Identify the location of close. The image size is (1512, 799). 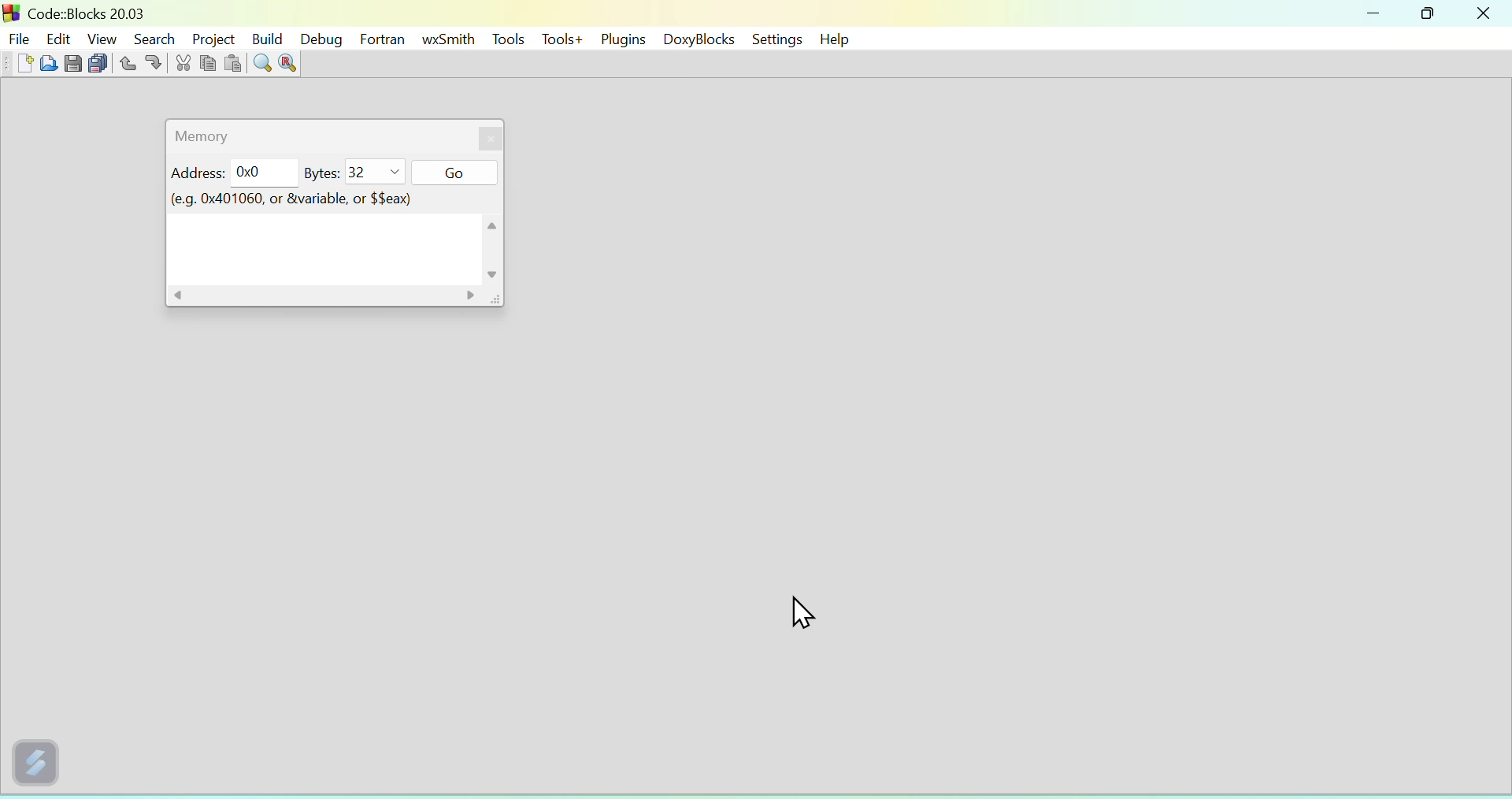
(491, 139).